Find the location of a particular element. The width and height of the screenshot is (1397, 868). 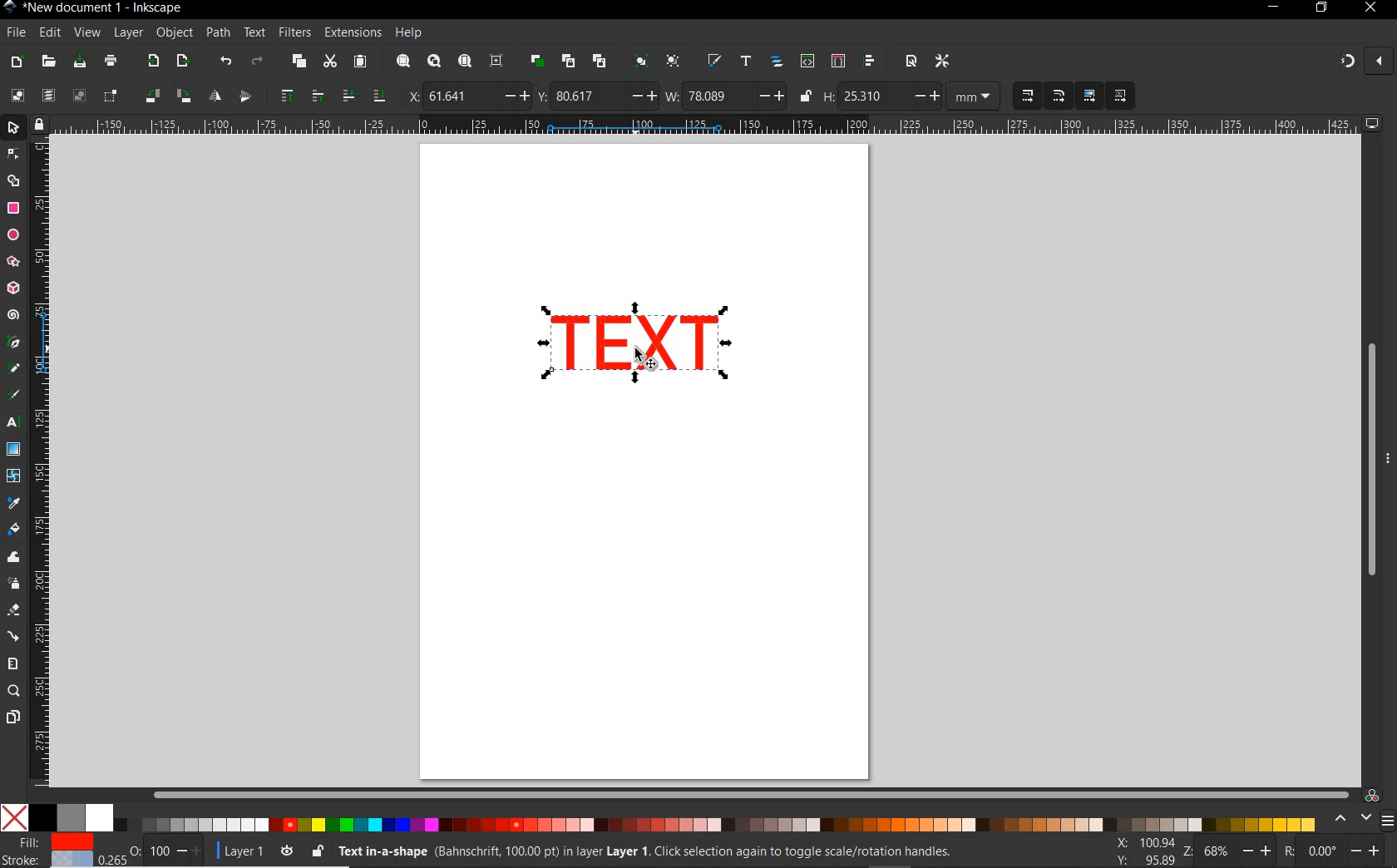

vertical coordinate of selection is located at coordinates (596, 96).